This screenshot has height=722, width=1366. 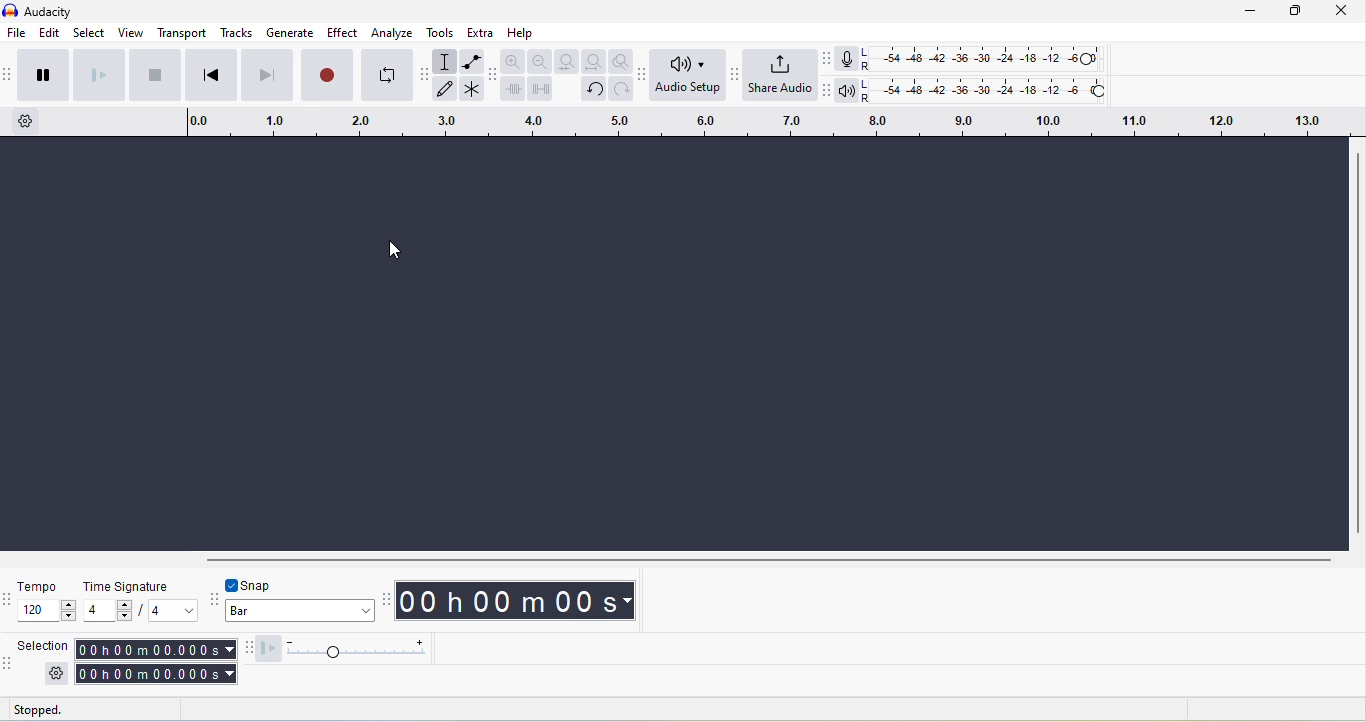 What do you see at coordinates (521, 33) in the screenshot?
I see `help` at bounding box center [521, 33].